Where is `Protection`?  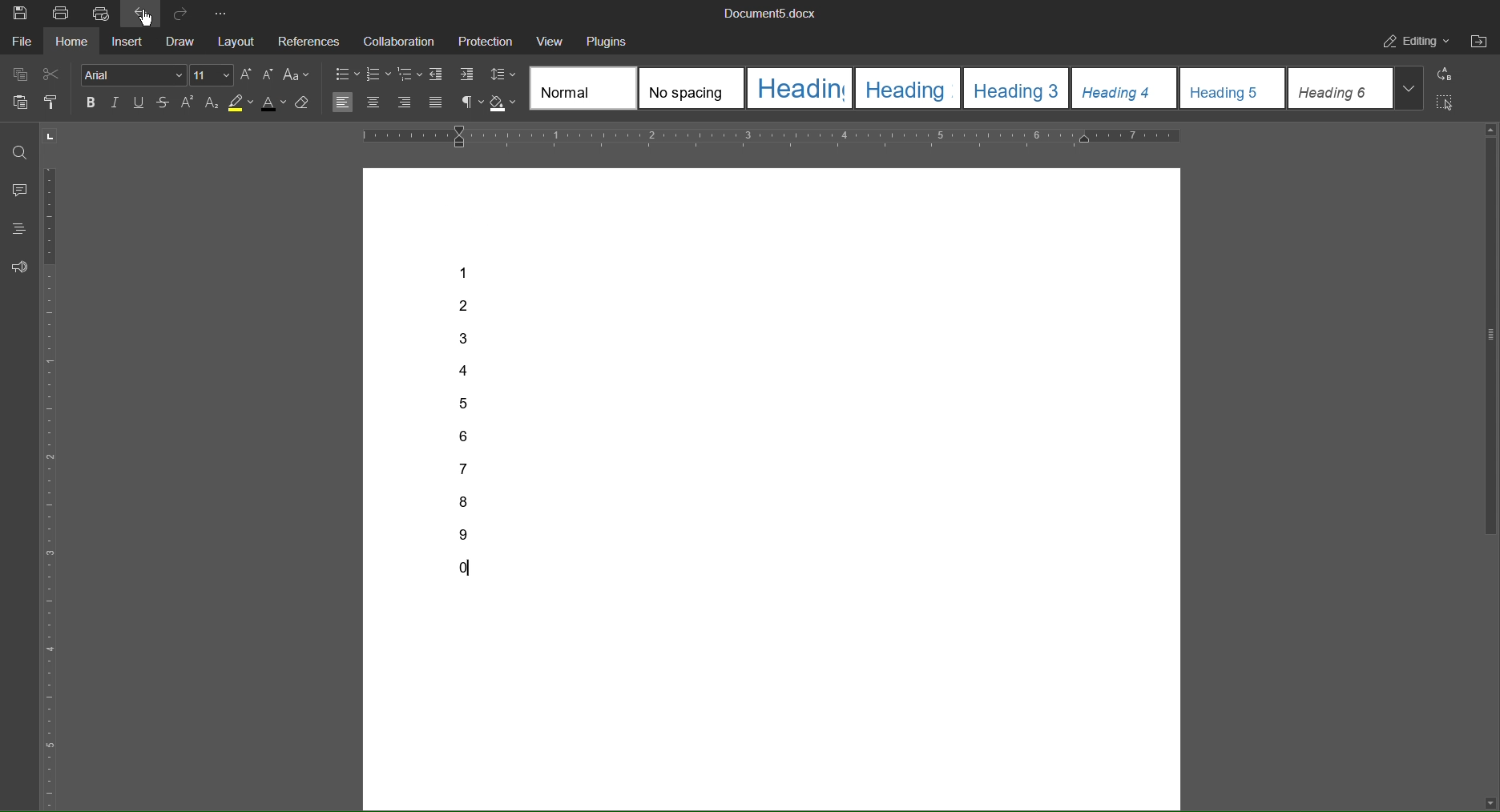 Protection is located at coordinates (486, 42).